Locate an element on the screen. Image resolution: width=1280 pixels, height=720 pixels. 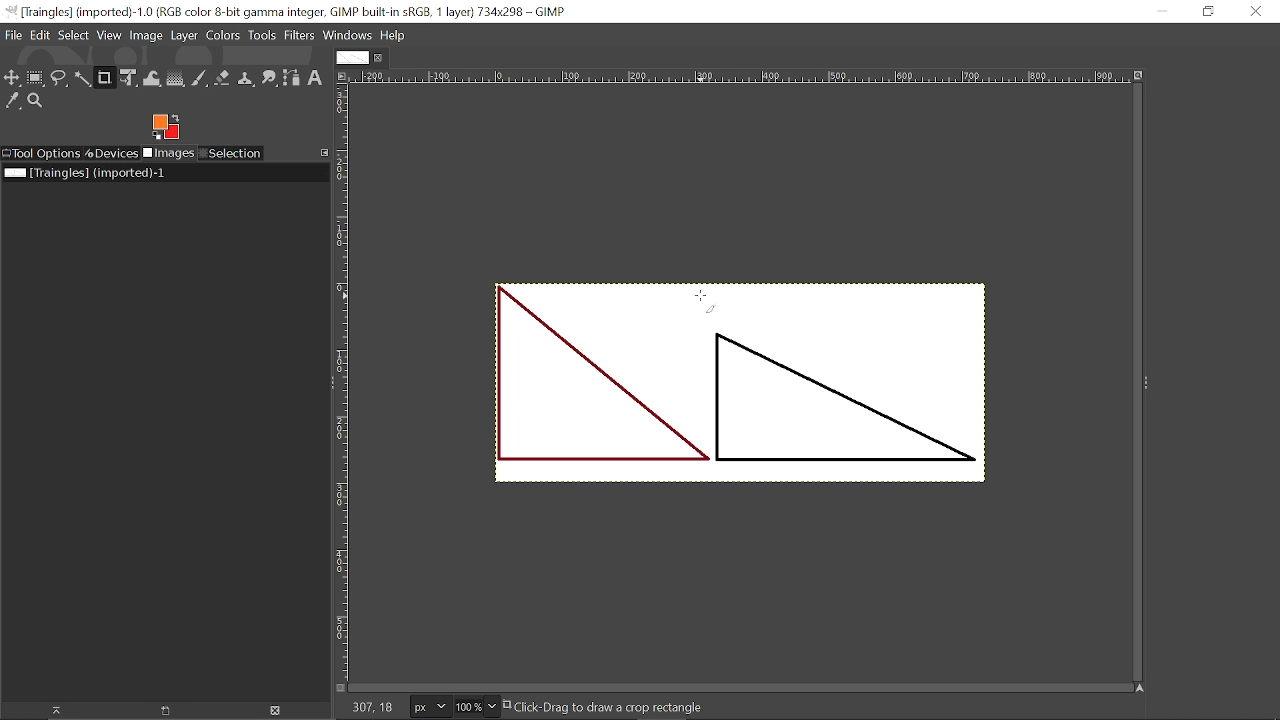
Configure this tab is located at coordinates (322, 153).